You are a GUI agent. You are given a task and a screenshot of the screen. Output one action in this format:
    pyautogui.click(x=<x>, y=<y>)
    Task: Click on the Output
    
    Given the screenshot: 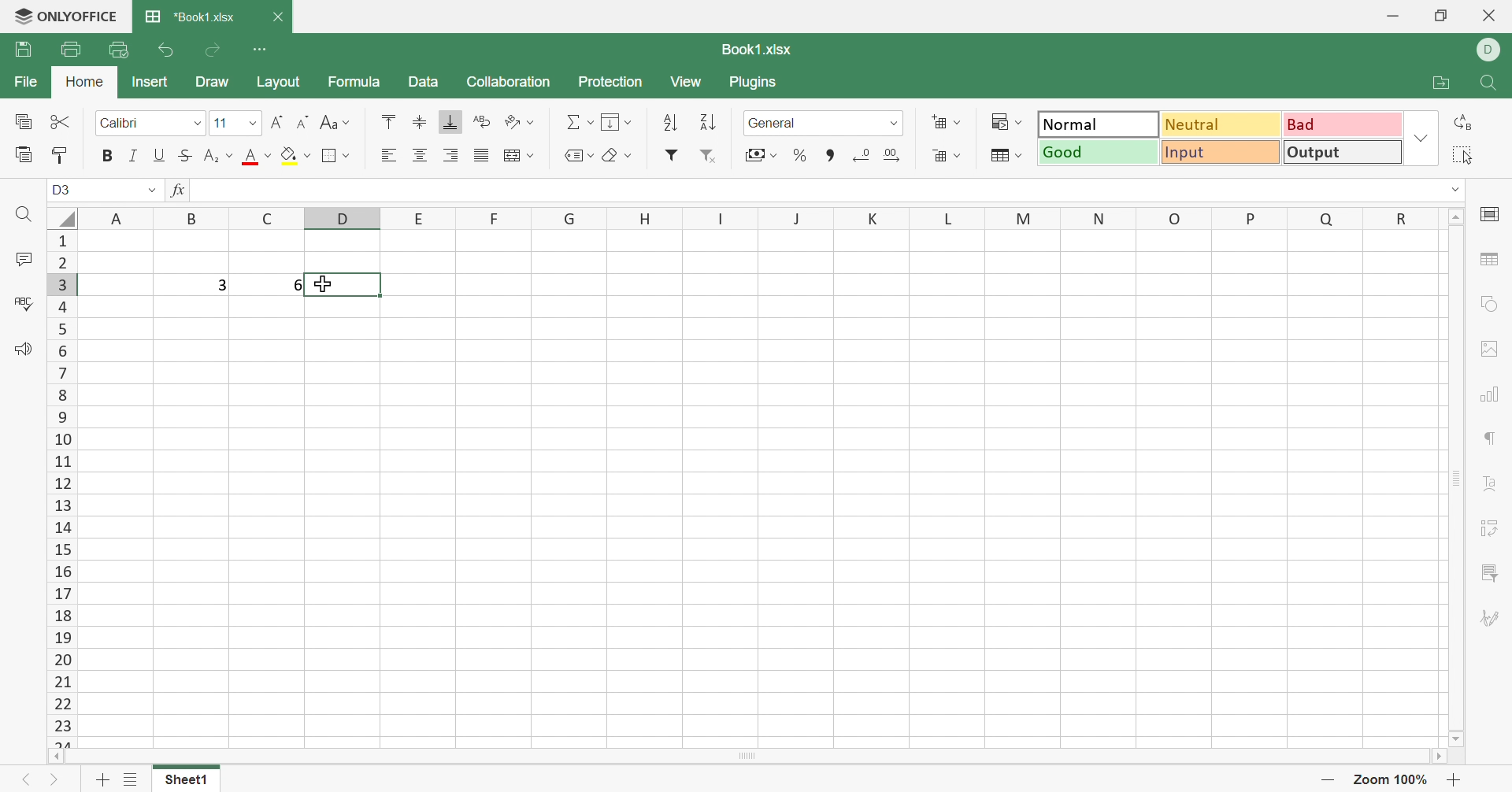 What is the action you would take?
    pyautogui.click(x=1343, y=154)
    